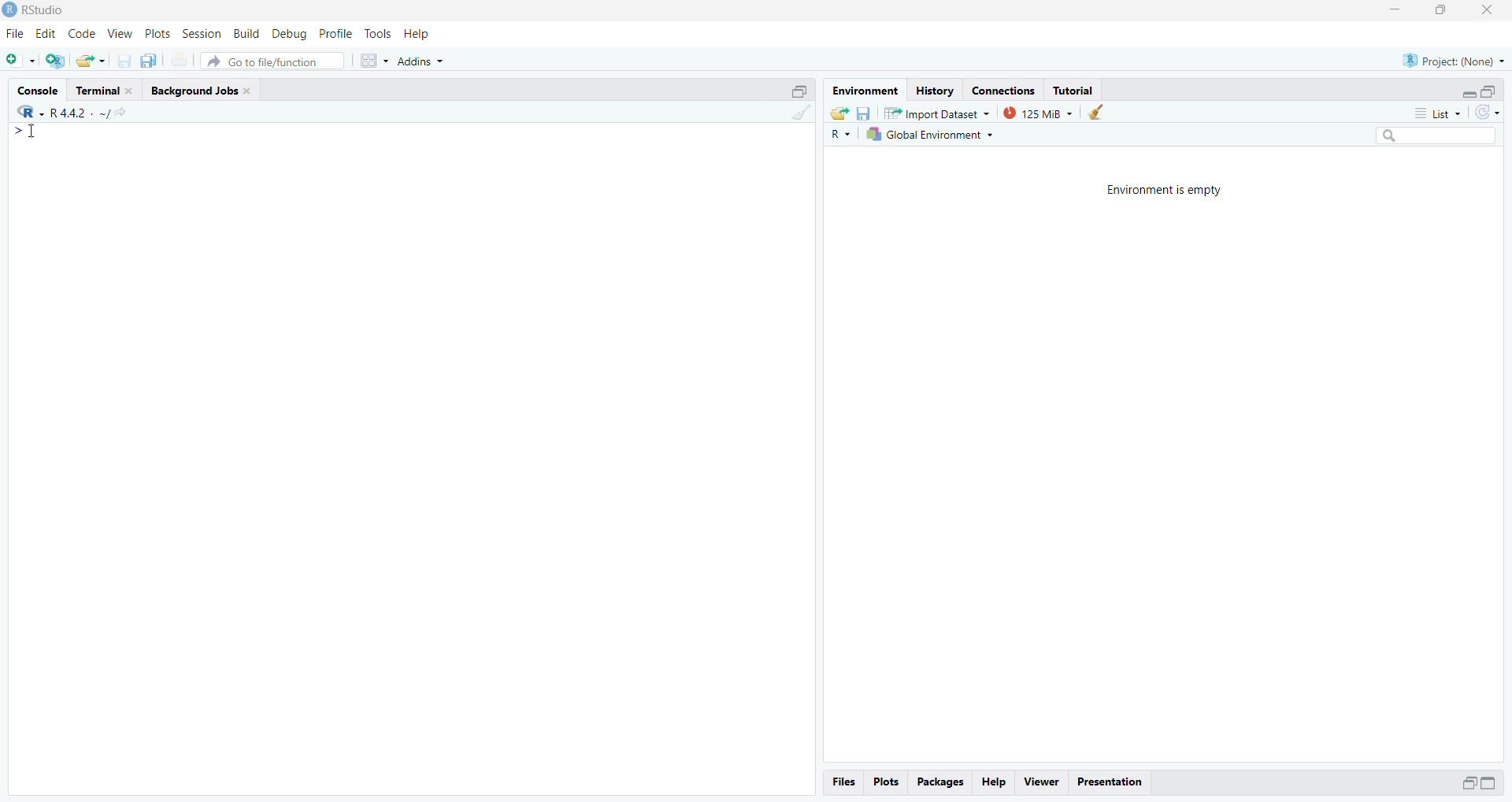 This screenshot has height=802, width=1512. What do you see at coordinates (1468, 785) in the screenshot?
I see `minimize` at bounding box center [1468, 785].